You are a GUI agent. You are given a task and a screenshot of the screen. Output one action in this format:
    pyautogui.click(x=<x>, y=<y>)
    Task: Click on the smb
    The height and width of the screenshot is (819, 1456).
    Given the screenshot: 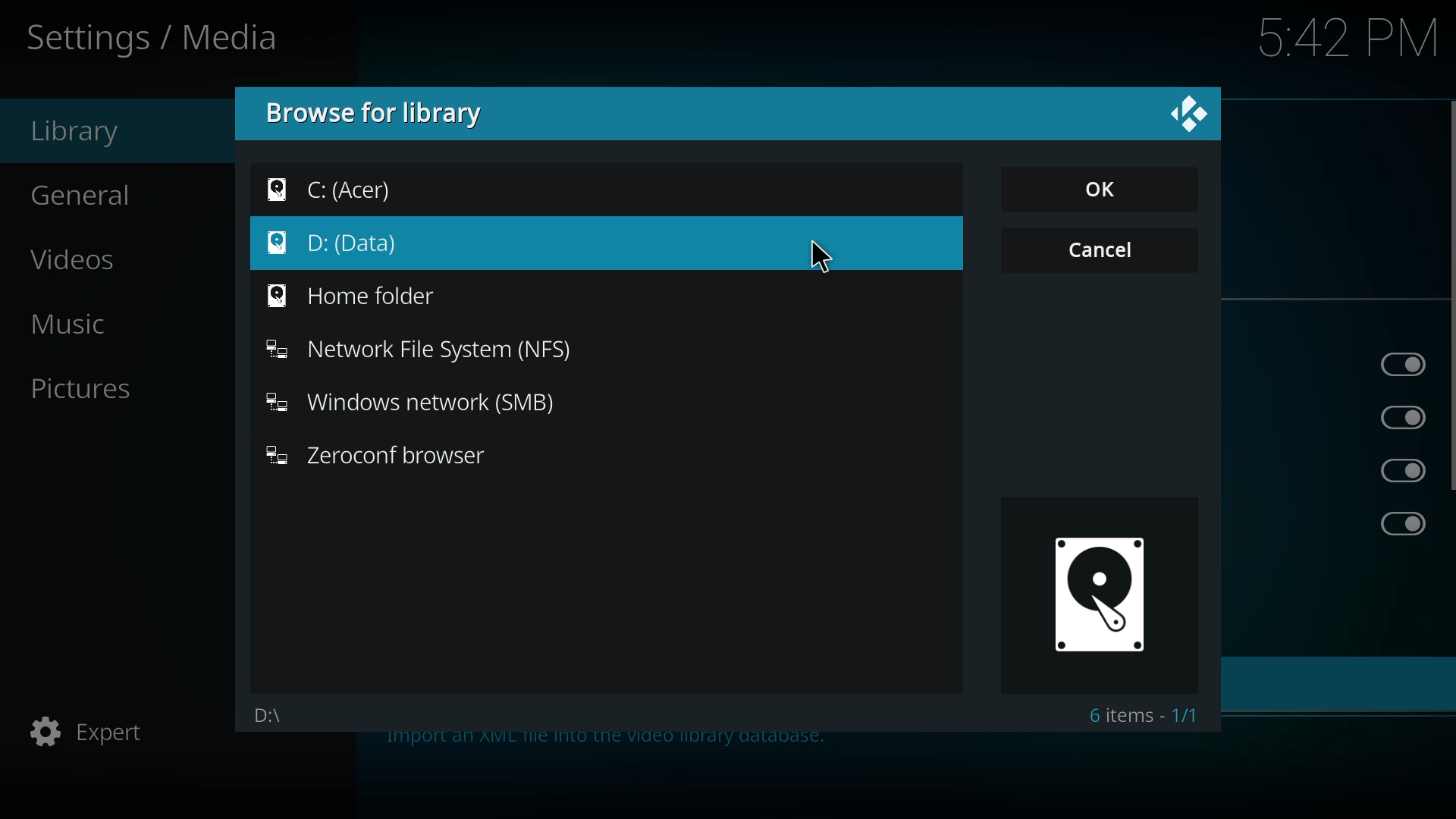 What is the action you would take?
    pyautogui.click(x=417, y=400)
    